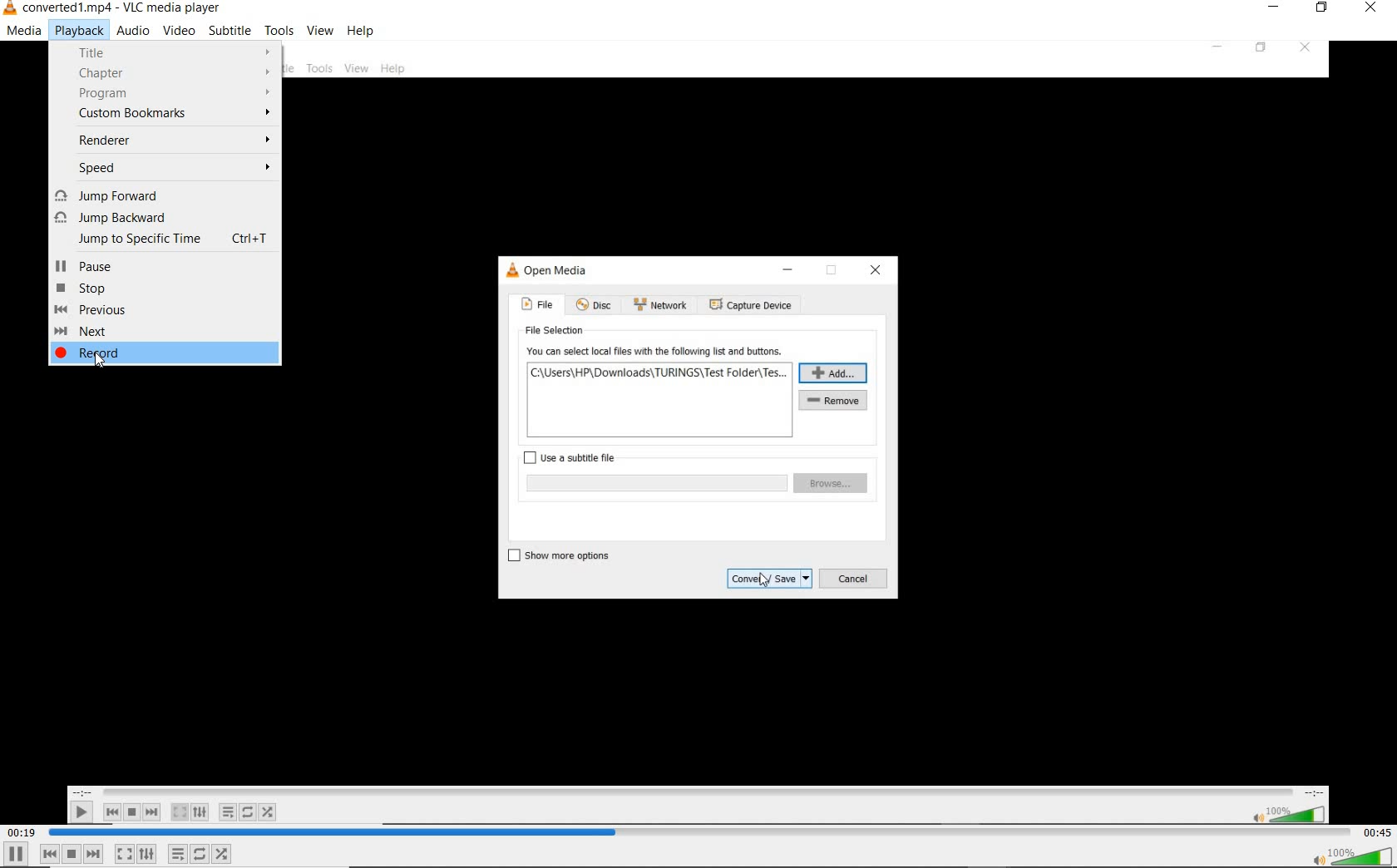 The image size is (1397, 868). I want to click on media, so click(24, 29).